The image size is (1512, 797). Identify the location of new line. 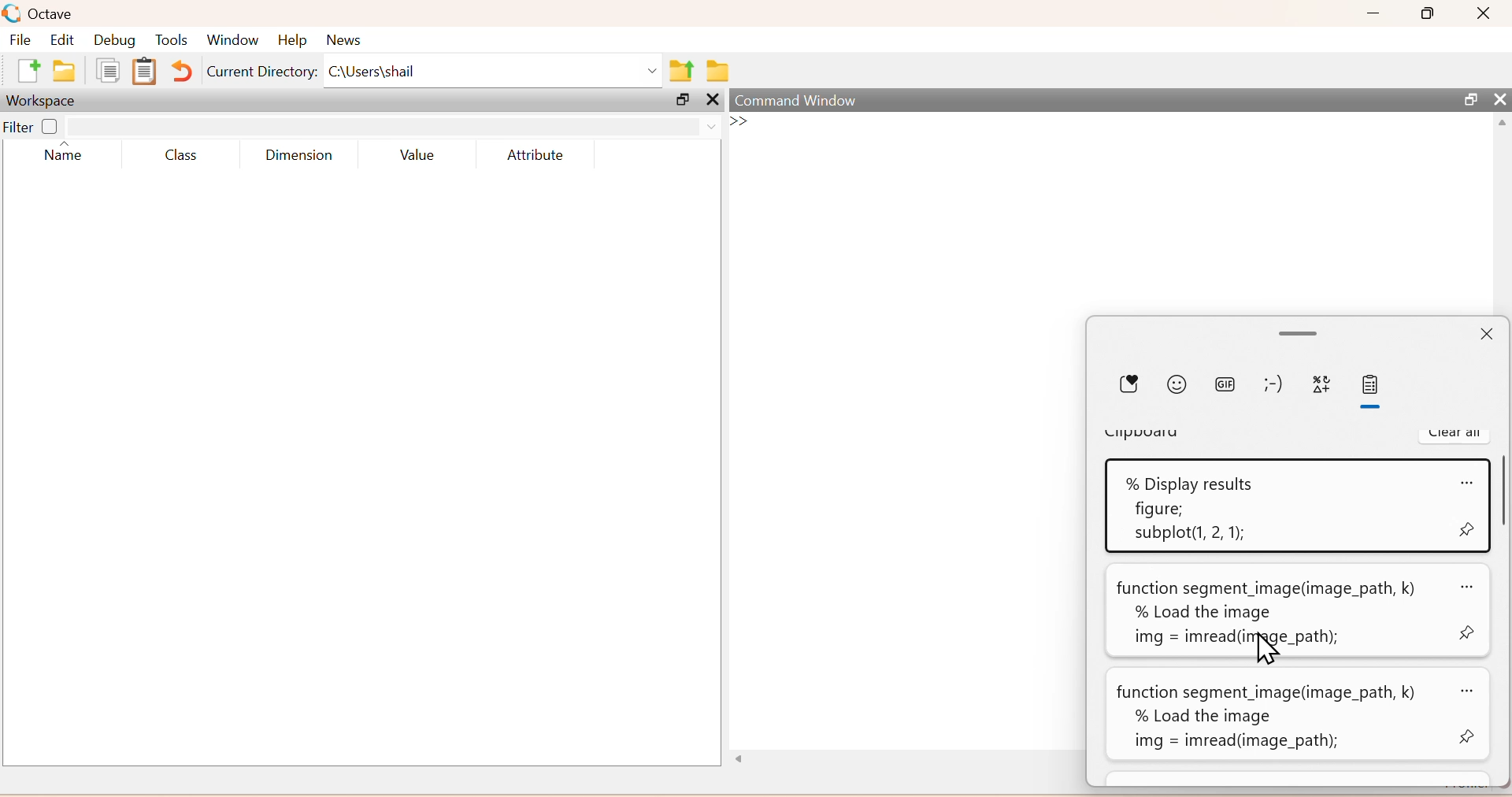
(739, 120).